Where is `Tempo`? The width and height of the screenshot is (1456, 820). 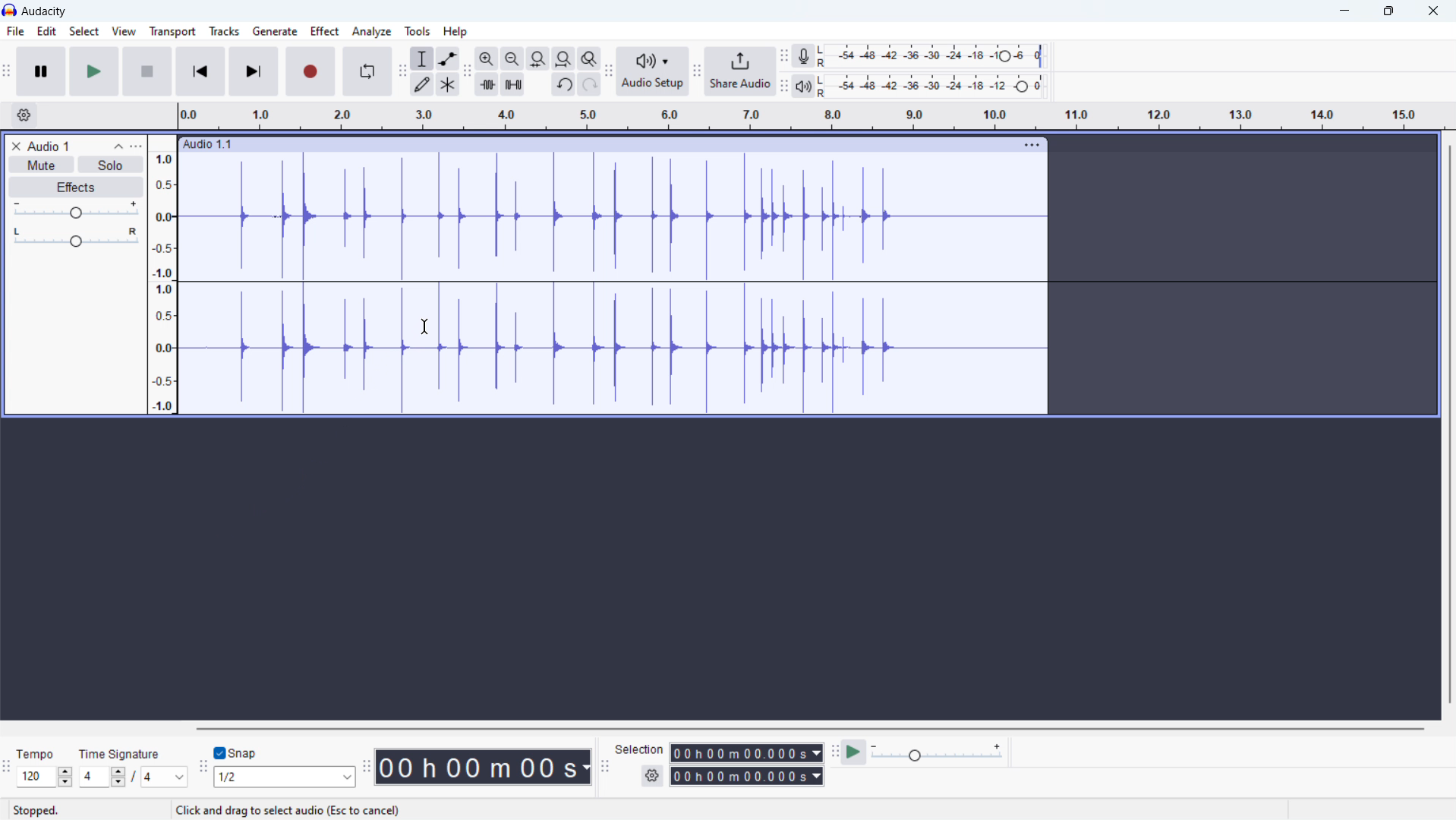 Tempo is located at coordinates (39, 752).